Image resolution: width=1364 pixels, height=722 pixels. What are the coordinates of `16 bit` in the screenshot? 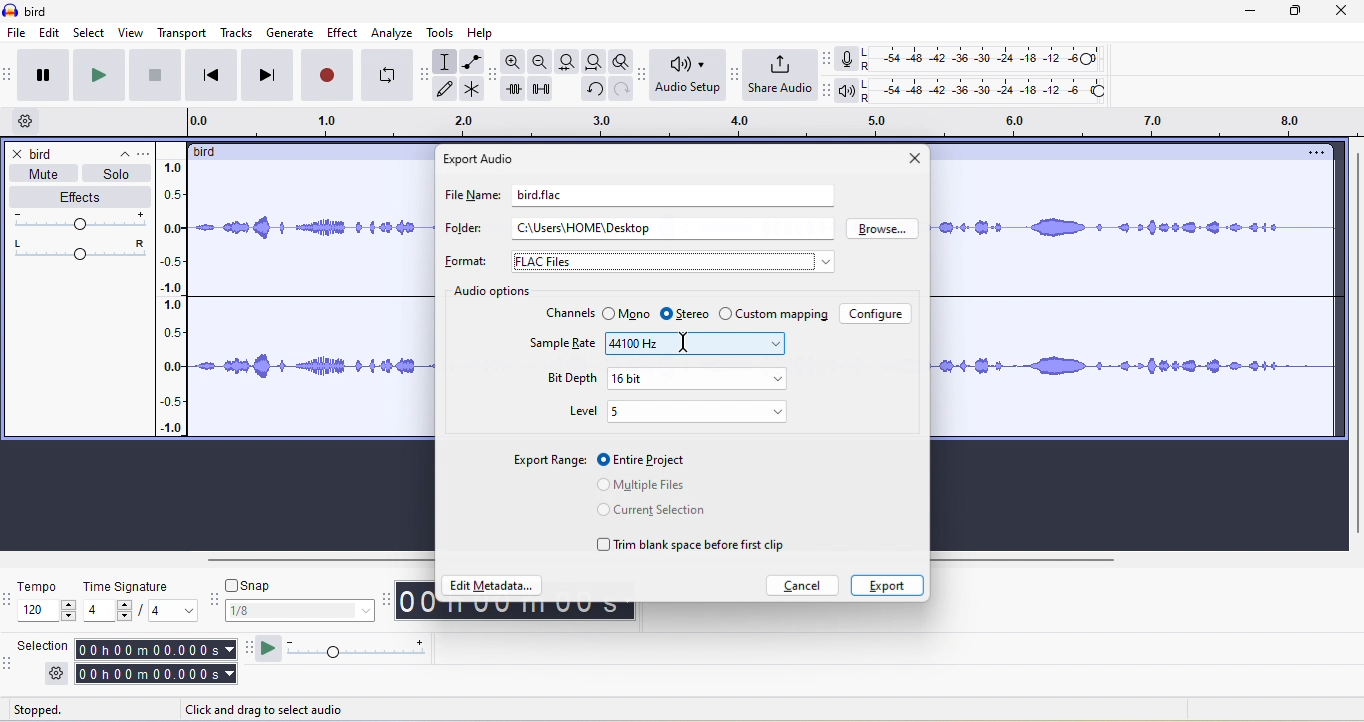 It's located at (696, 378).